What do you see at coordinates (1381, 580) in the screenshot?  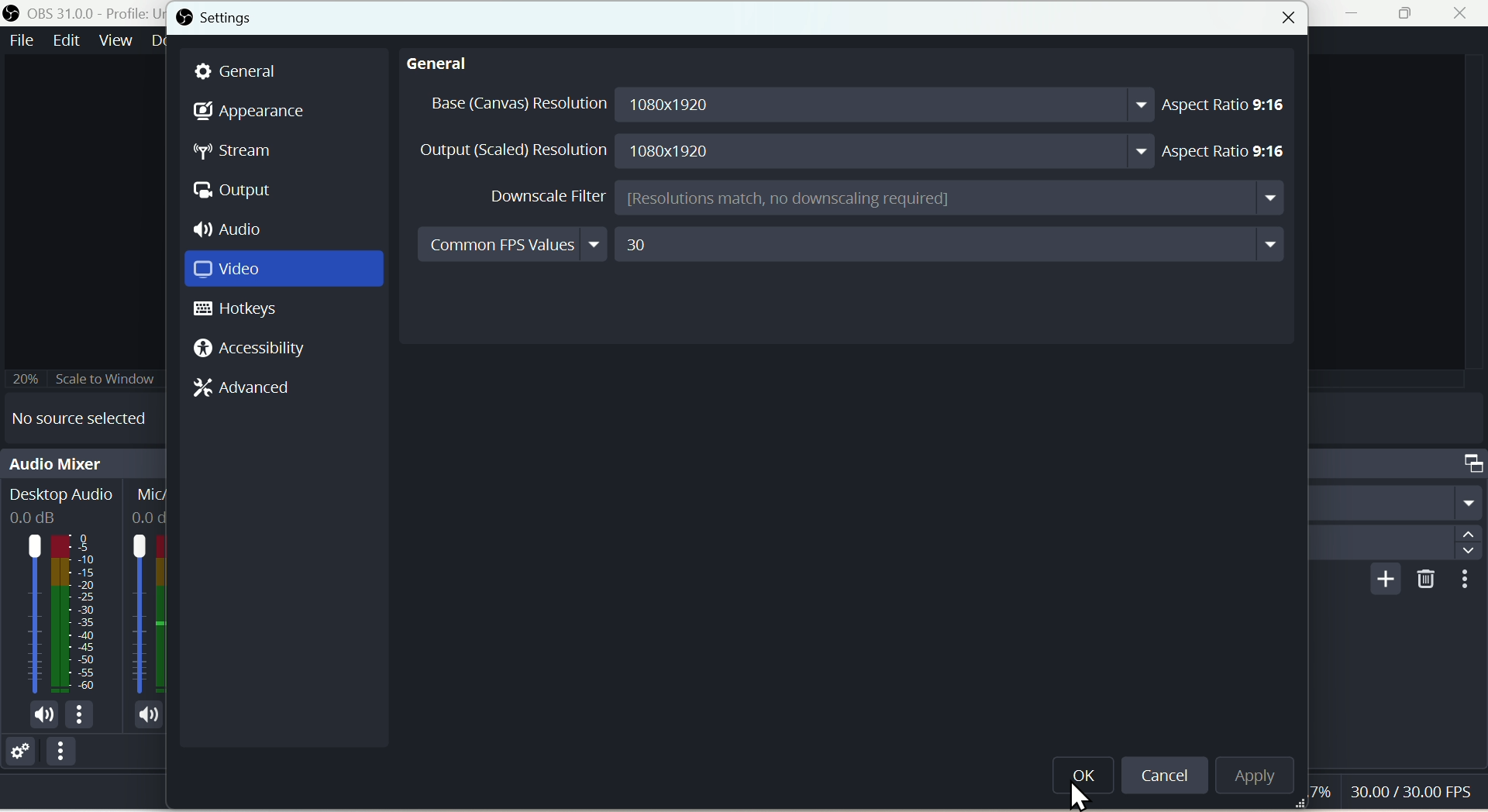 I see `Add` at bounding box center [1381, 580].